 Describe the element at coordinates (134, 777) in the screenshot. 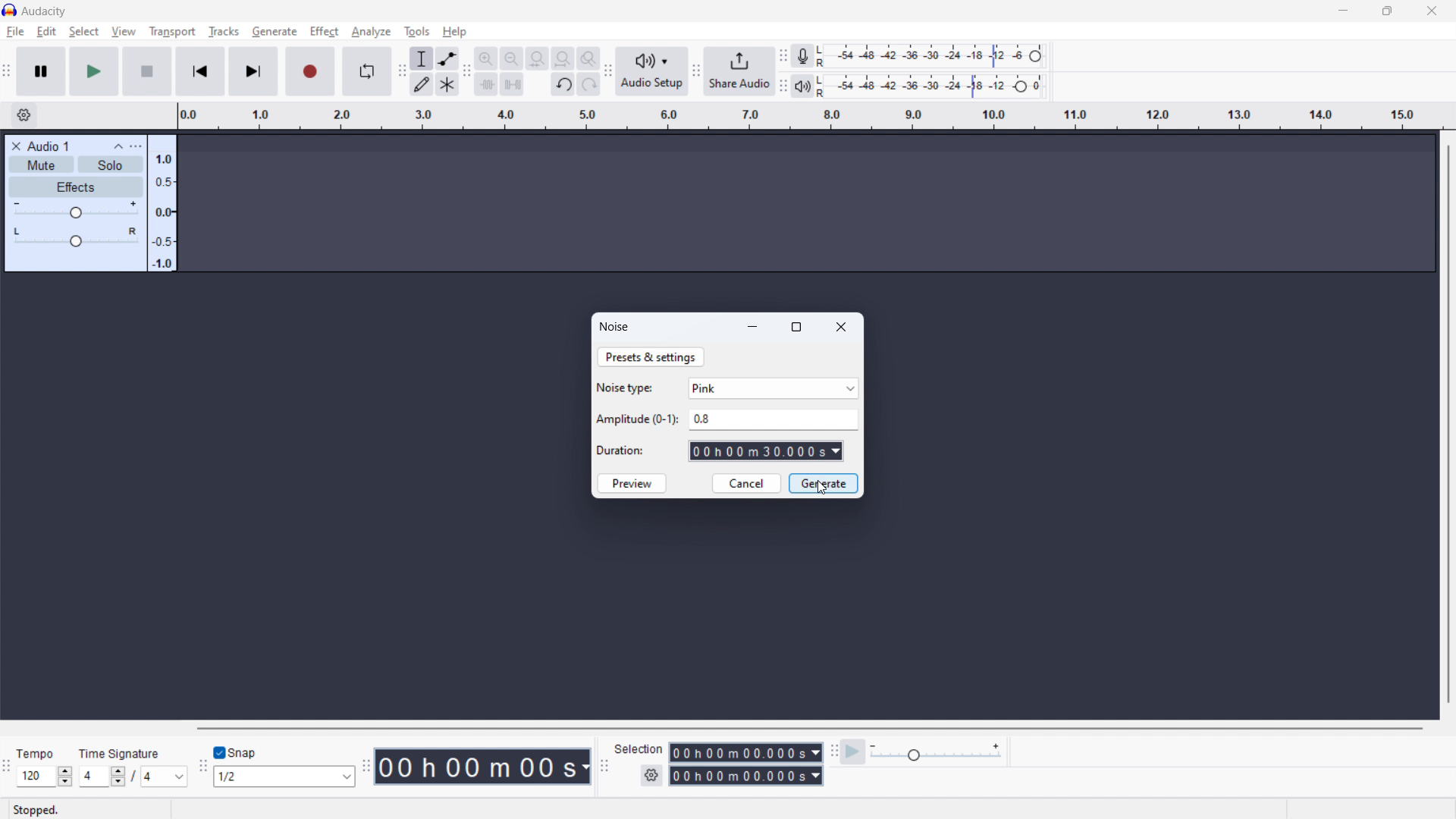

I see `set time signature` at that location.